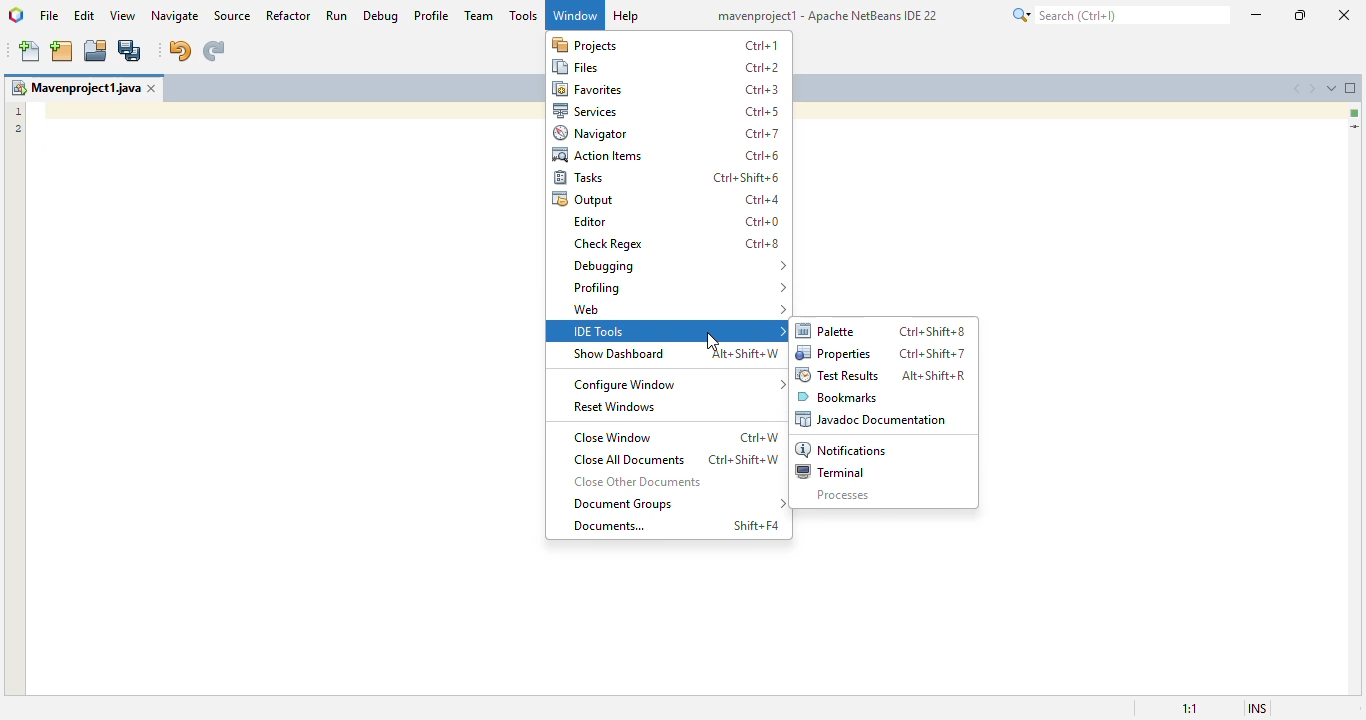 The image size is (1366, 720). What do you see at coordinates (828, 472) in the screenshot?
I see `terminal` at bounding box center [828, 472].